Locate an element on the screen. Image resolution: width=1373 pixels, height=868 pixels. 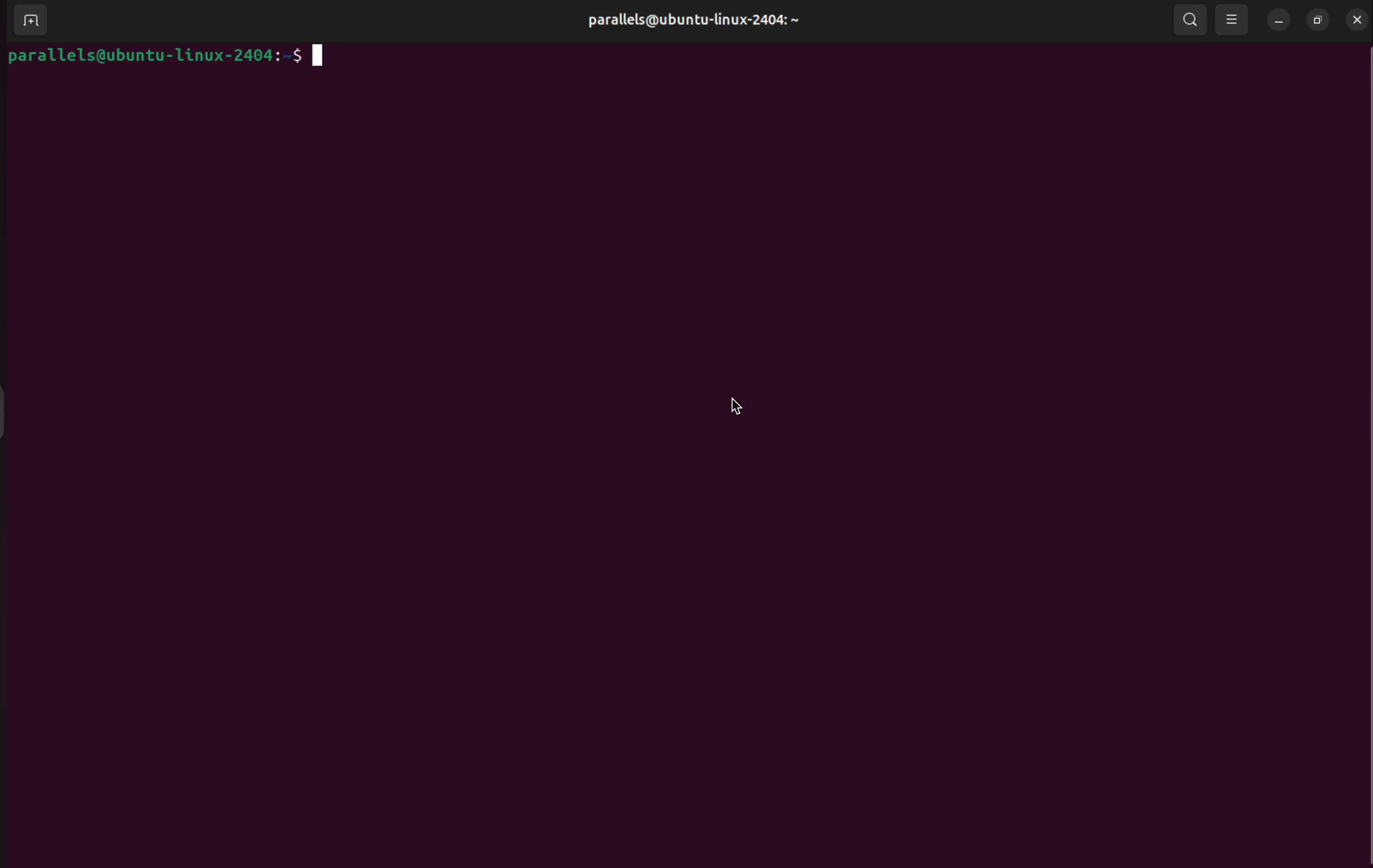
close is located at coordinates (1359, 20).